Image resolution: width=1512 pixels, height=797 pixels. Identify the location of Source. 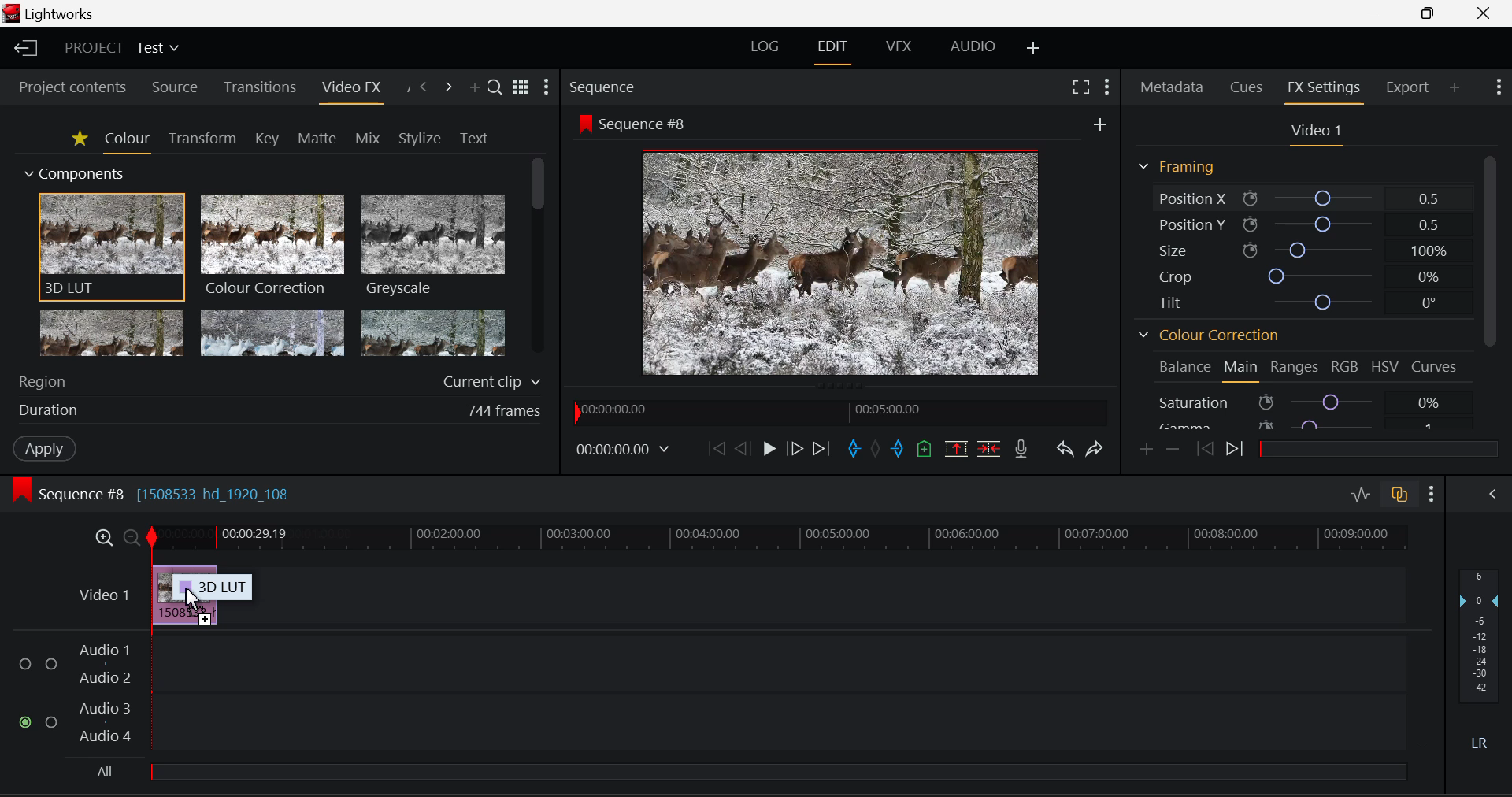
(176, 87).